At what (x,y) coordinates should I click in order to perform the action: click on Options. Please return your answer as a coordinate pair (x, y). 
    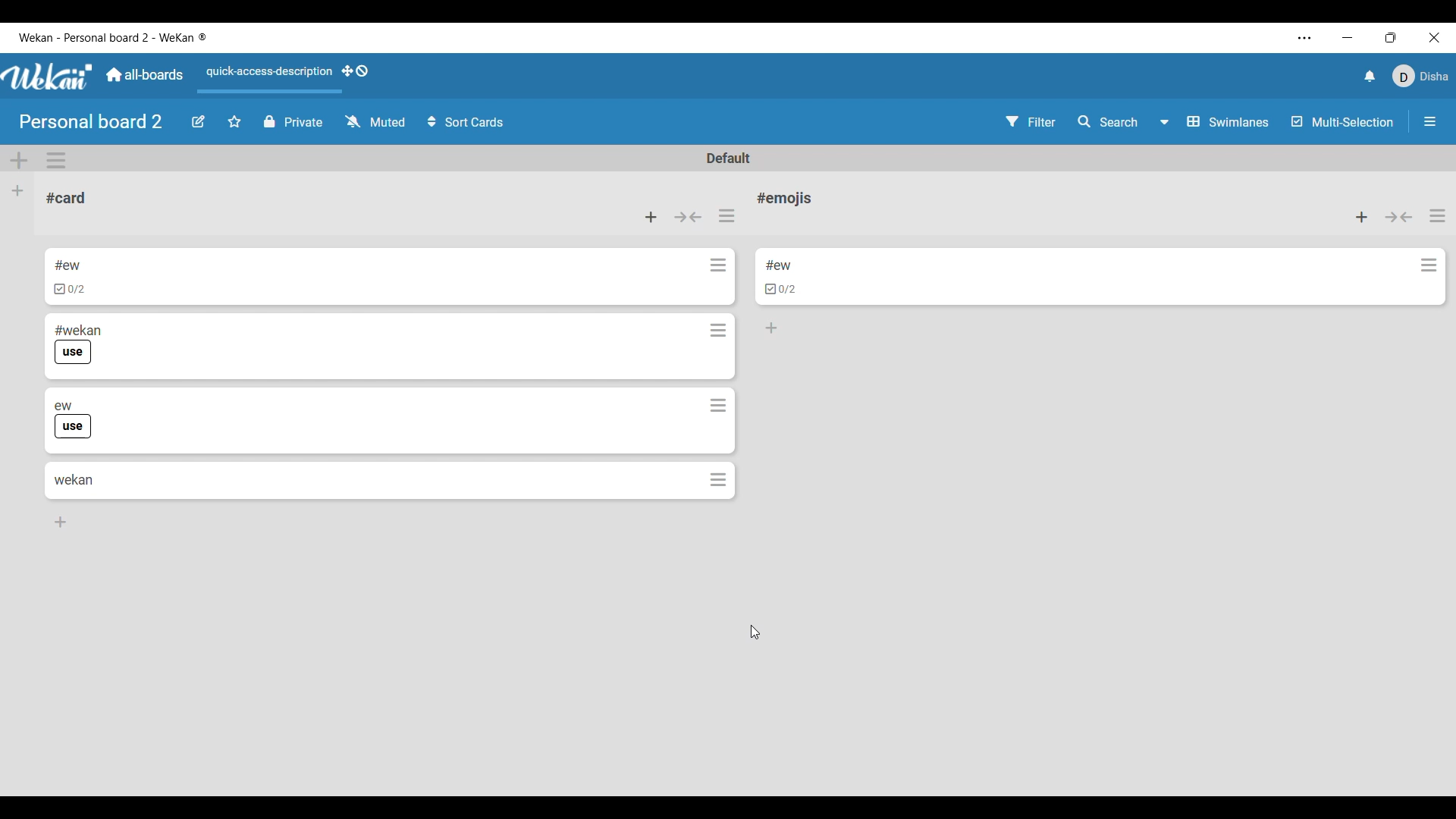
    Looking at the image, I should click on (1426, 270).